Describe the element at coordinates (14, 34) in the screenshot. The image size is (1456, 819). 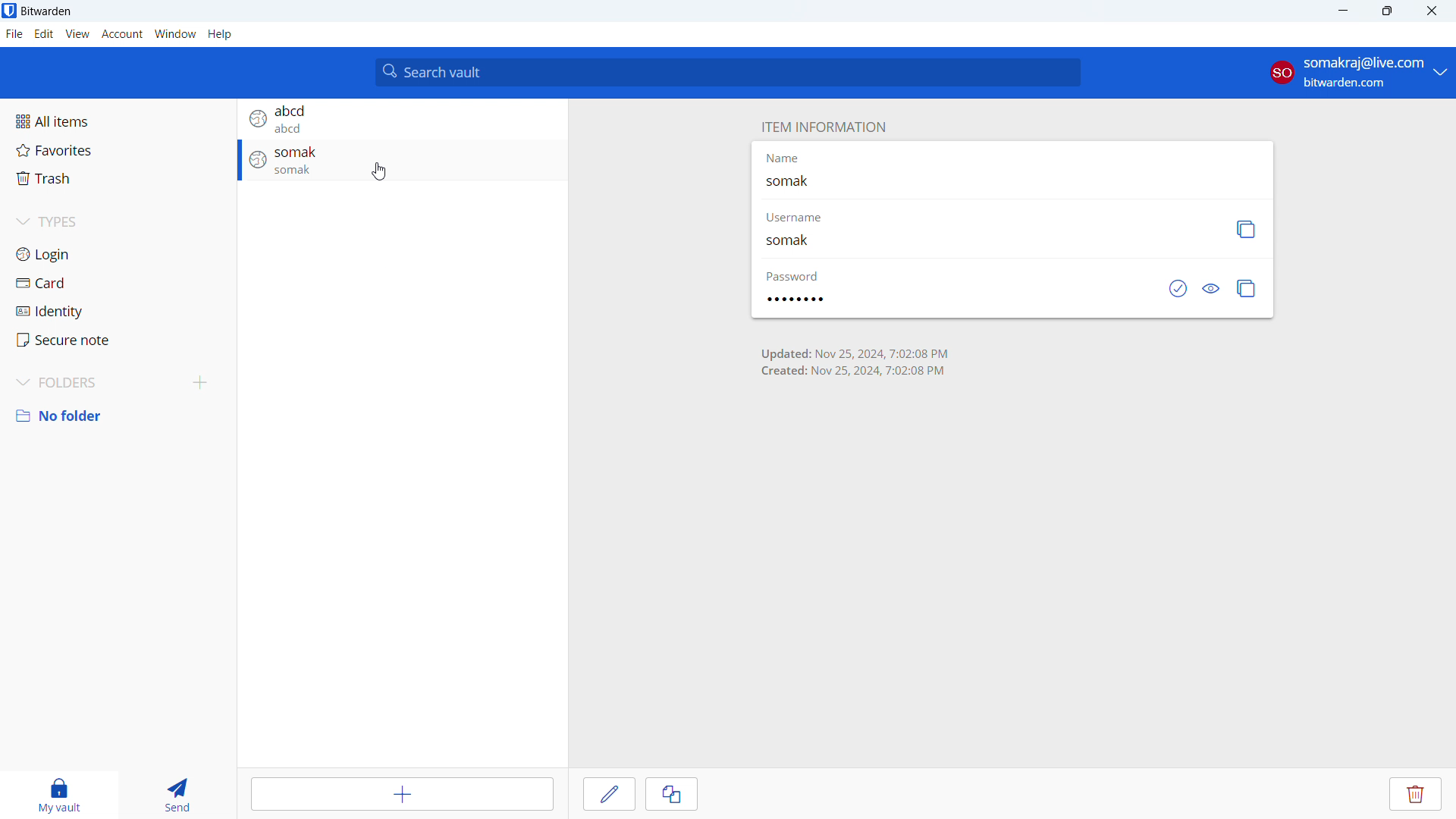
I see `file` at that location.